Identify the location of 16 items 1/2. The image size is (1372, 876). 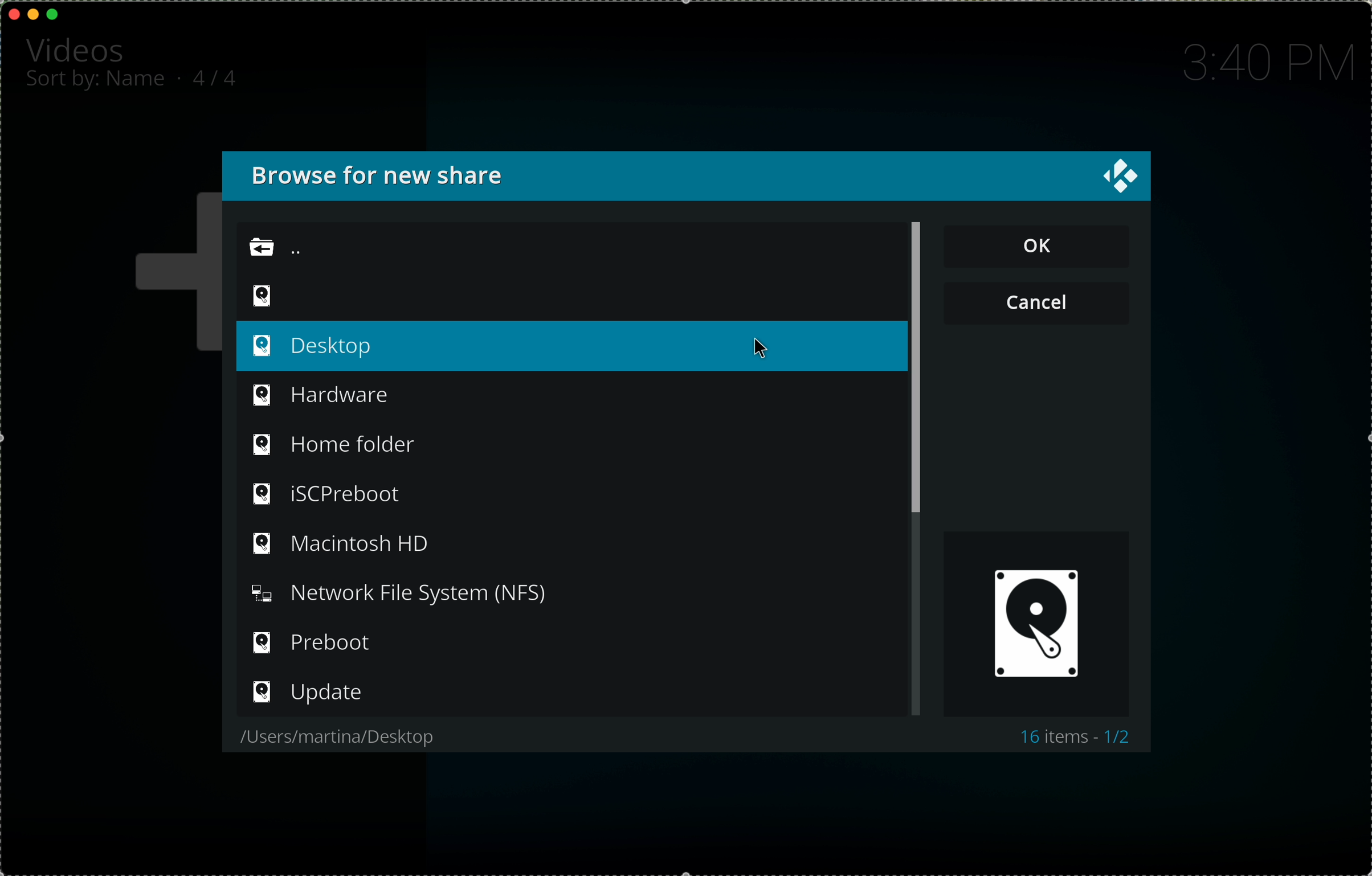
(1080, 739).